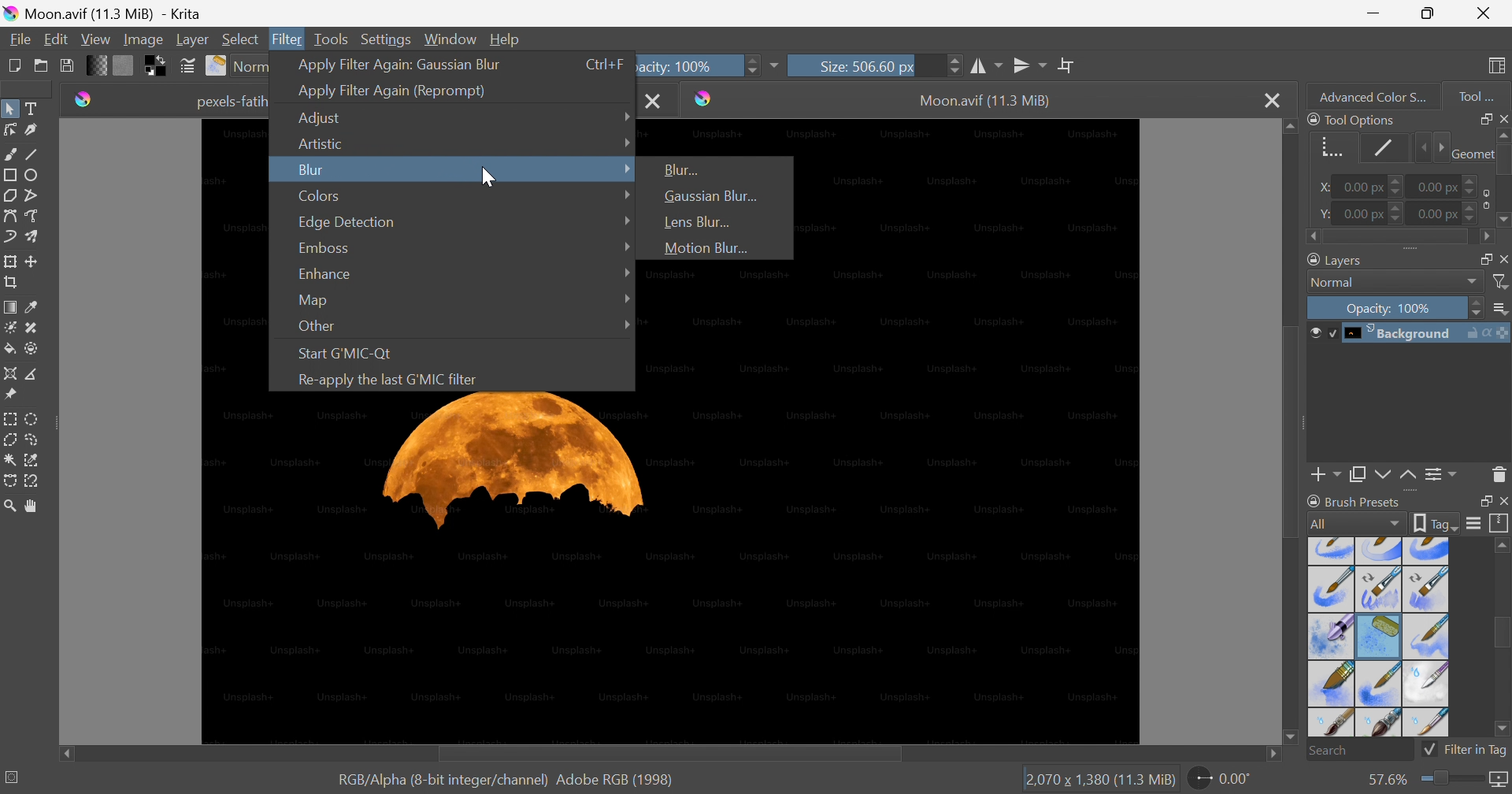  I want to click on Wrap around mode, so click(1065, 64).